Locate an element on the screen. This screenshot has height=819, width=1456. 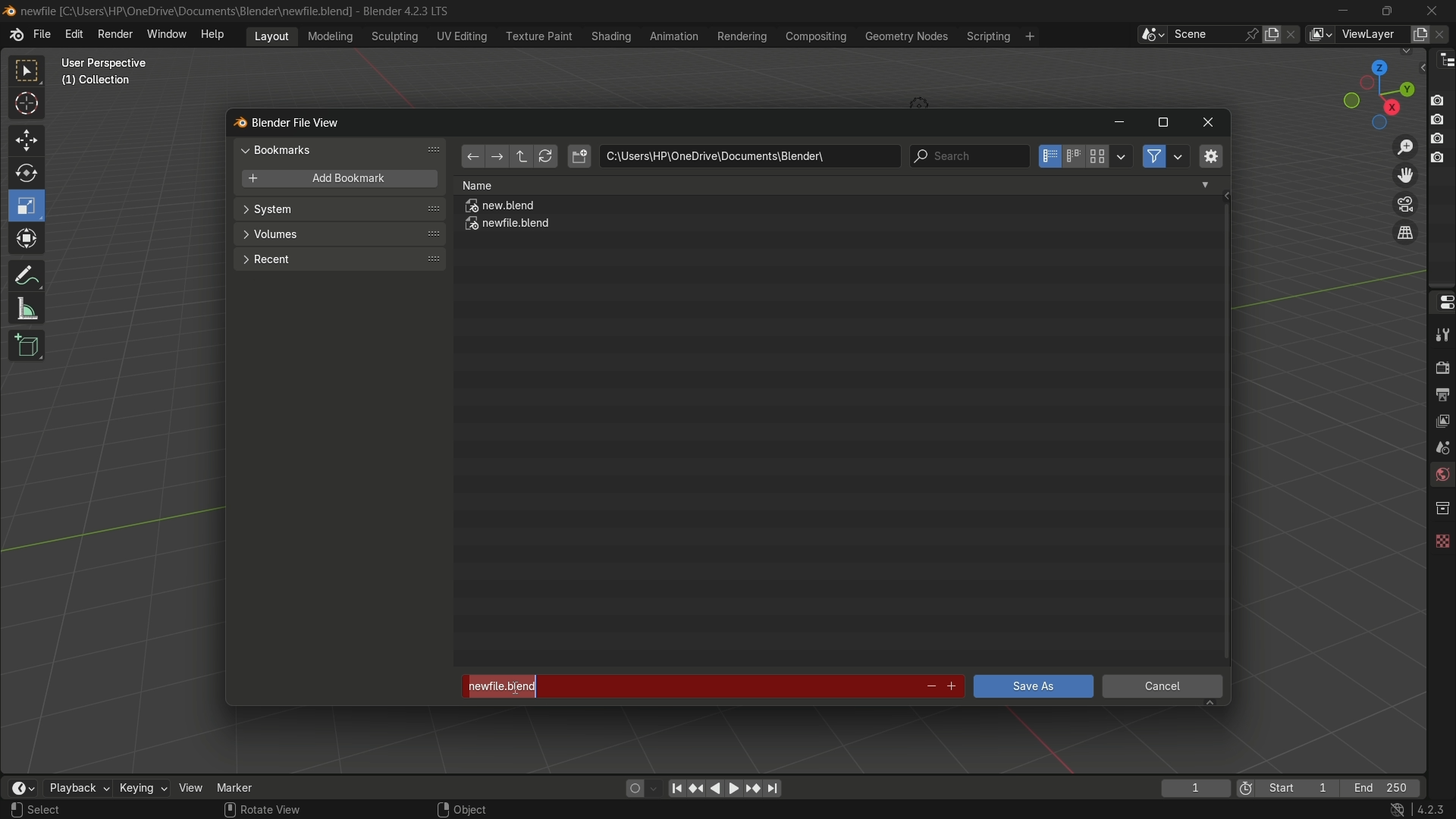
thumbnails display is located at coordinates (1098, 157).